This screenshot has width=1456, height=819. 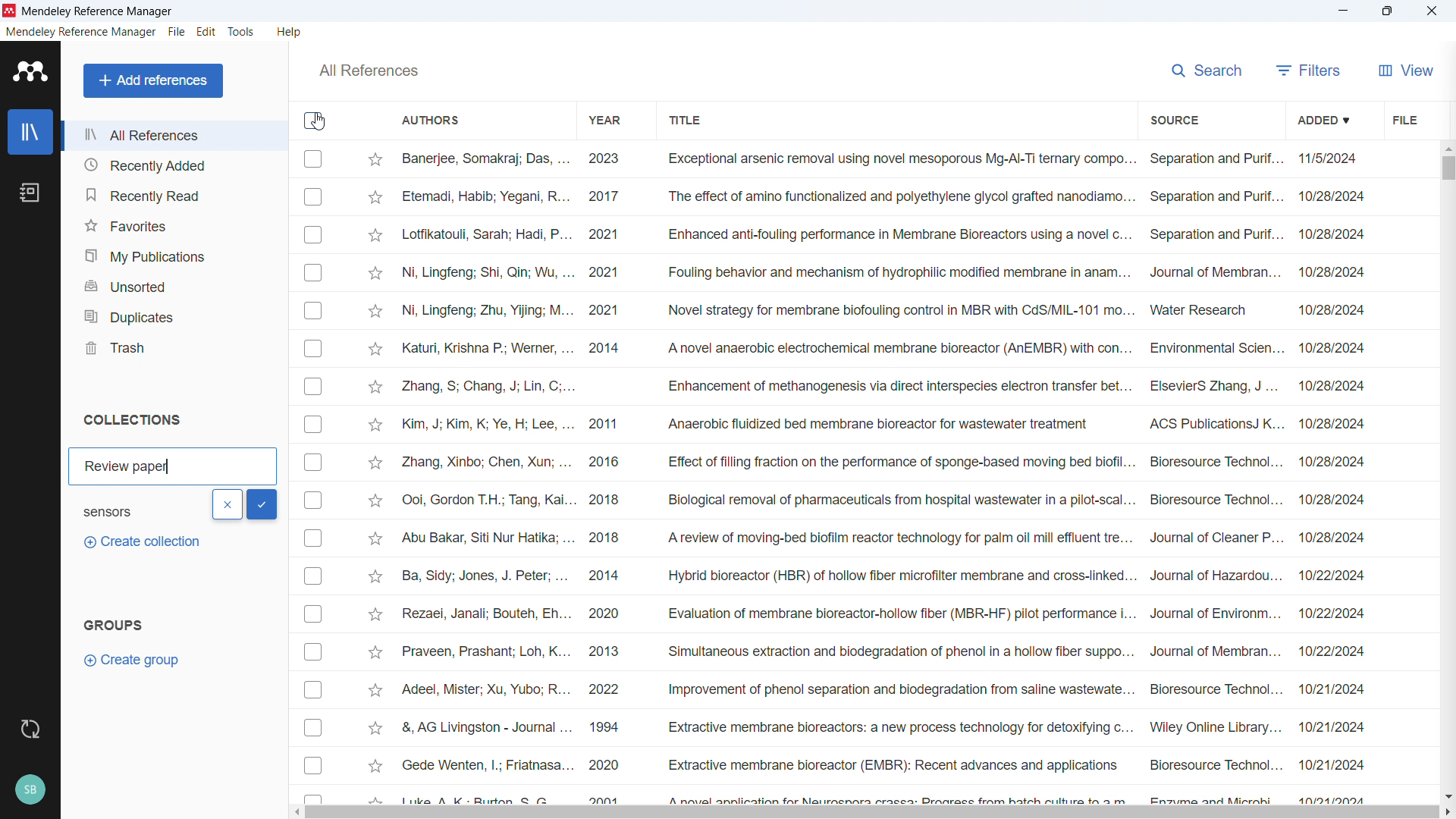 What do you see at coordinates (313, 425) in the screenshot?
I see `Select respective publication` at bounding box center [313, 425].